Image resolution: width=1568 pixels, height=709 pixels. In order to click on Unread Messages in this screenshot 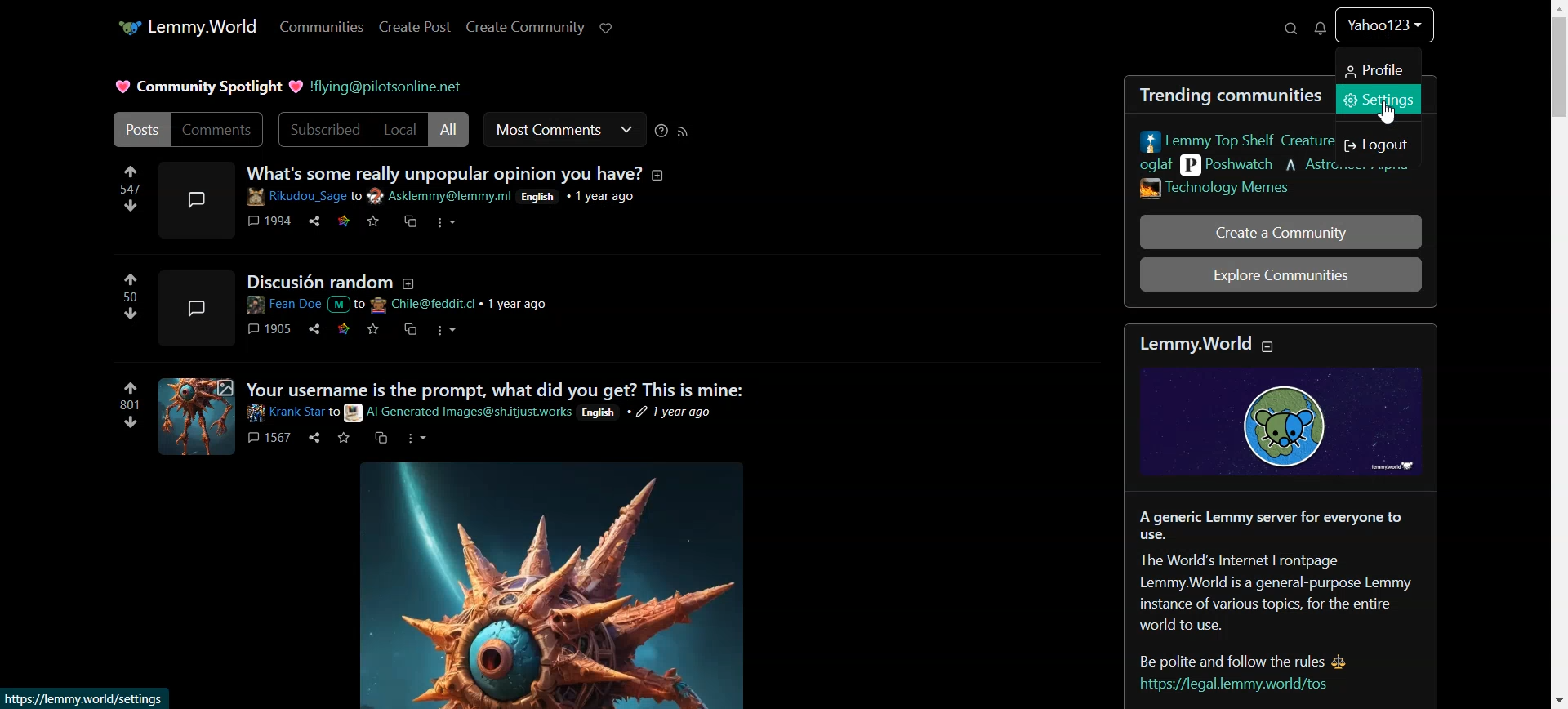, I will do `click(1318, 28)`.